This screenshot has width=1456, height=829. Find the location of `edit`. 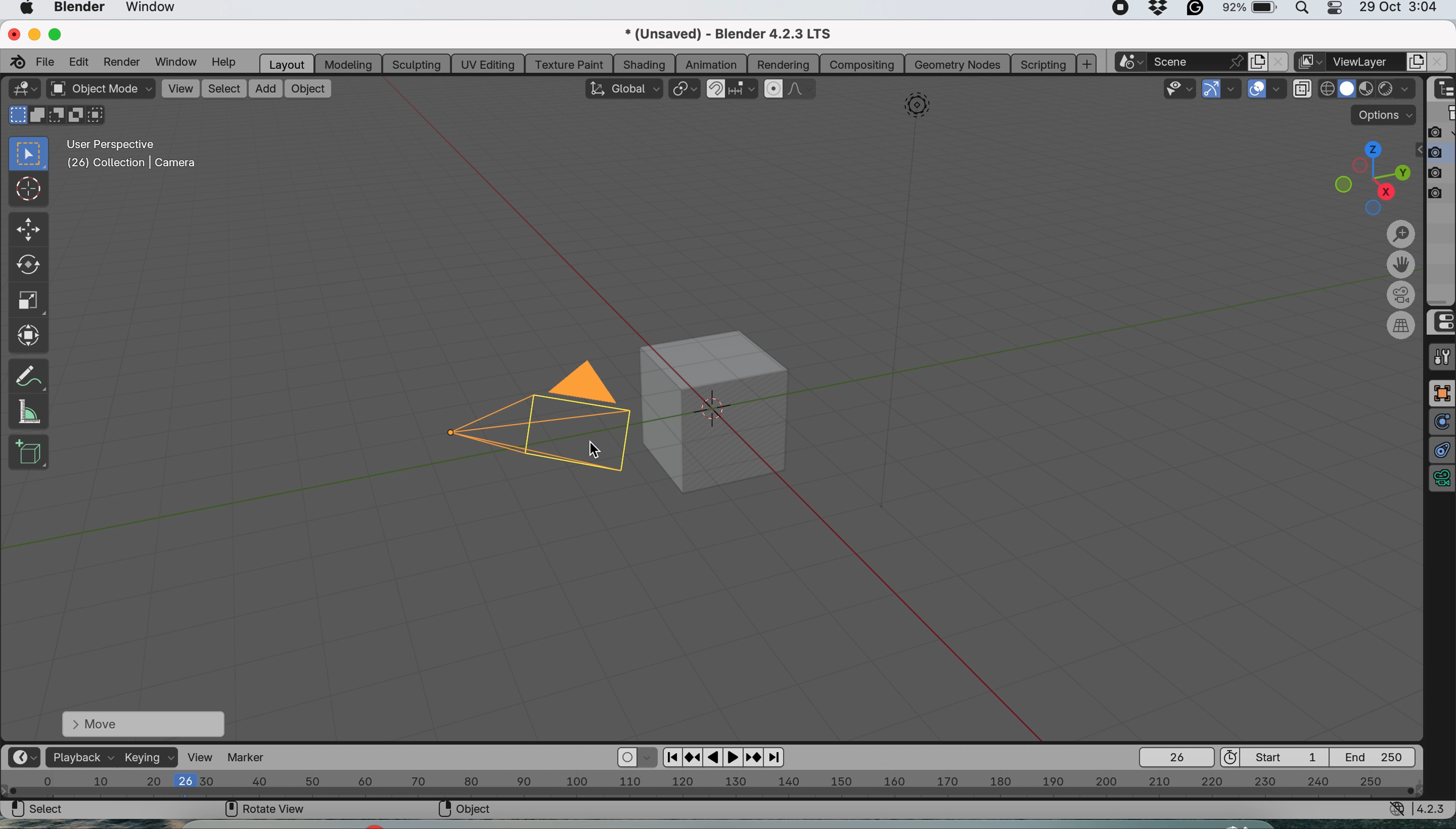

edit is located at coordinates (81, 61).